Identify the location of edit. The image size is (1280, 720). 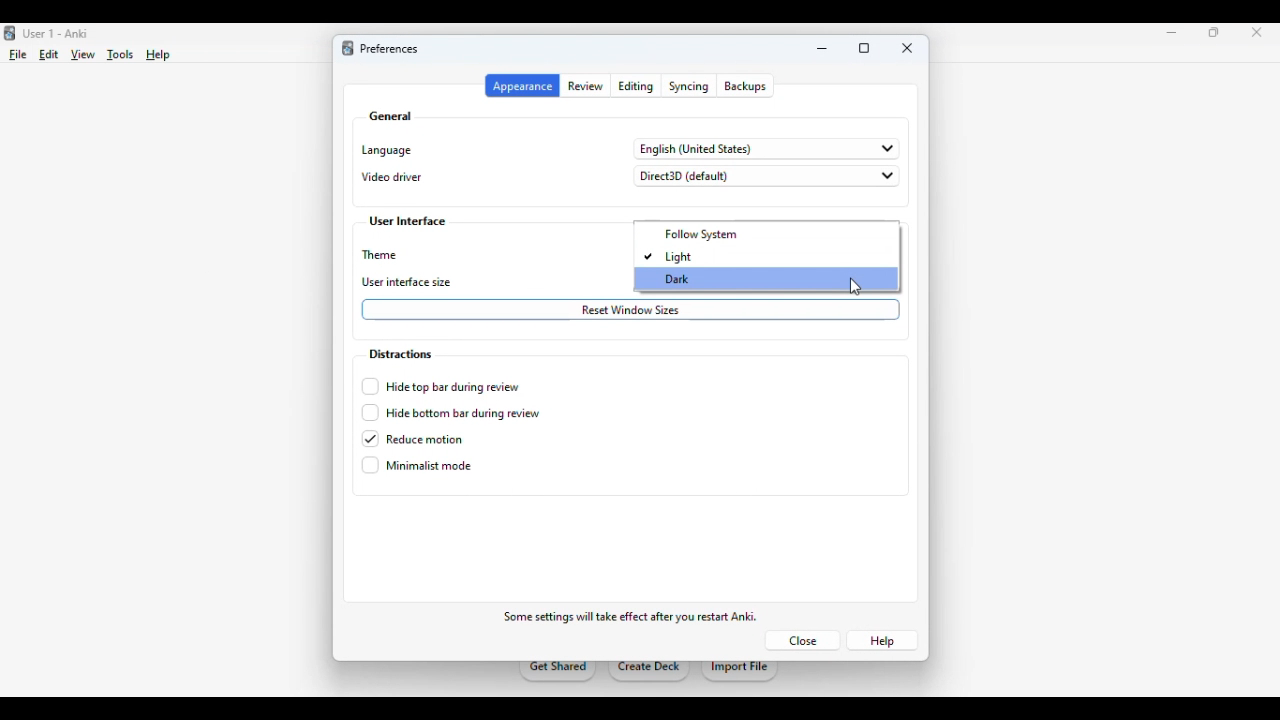
(49, 54).